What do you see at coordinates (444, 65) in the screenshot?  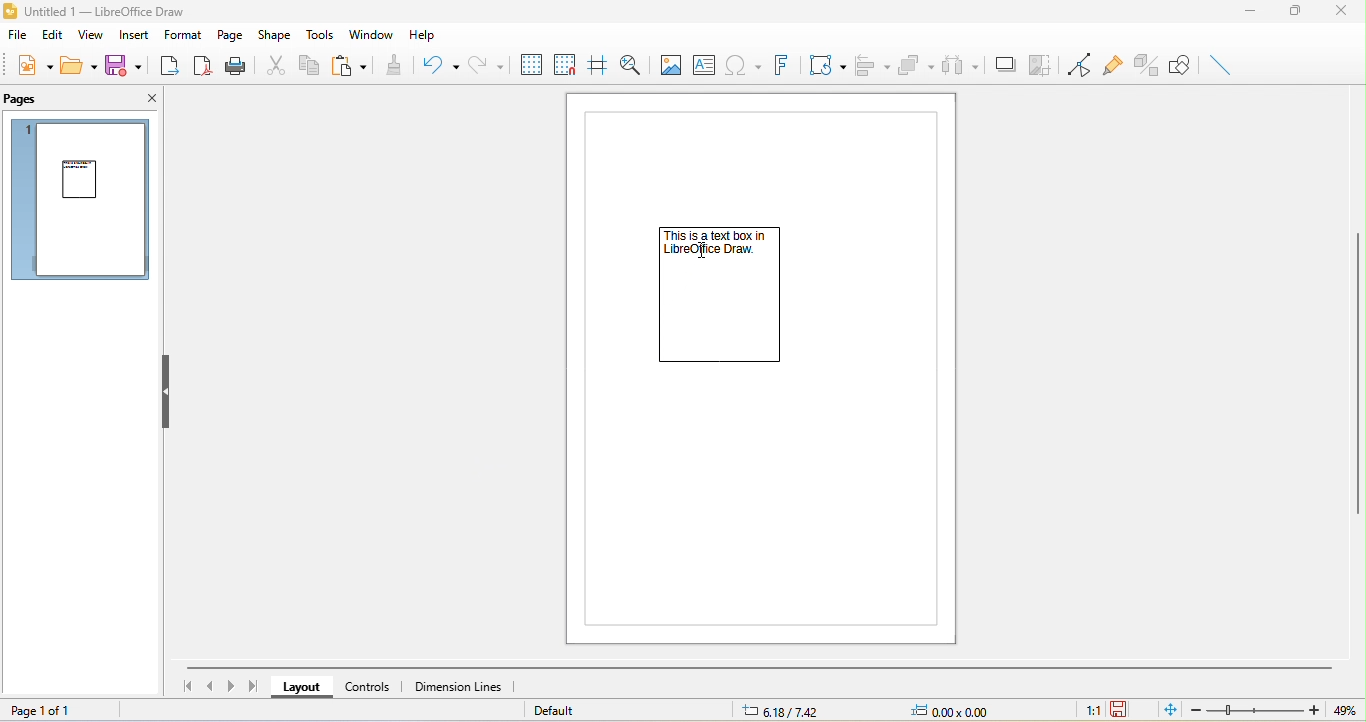 I see `undo` at bounding box center [444, 65].